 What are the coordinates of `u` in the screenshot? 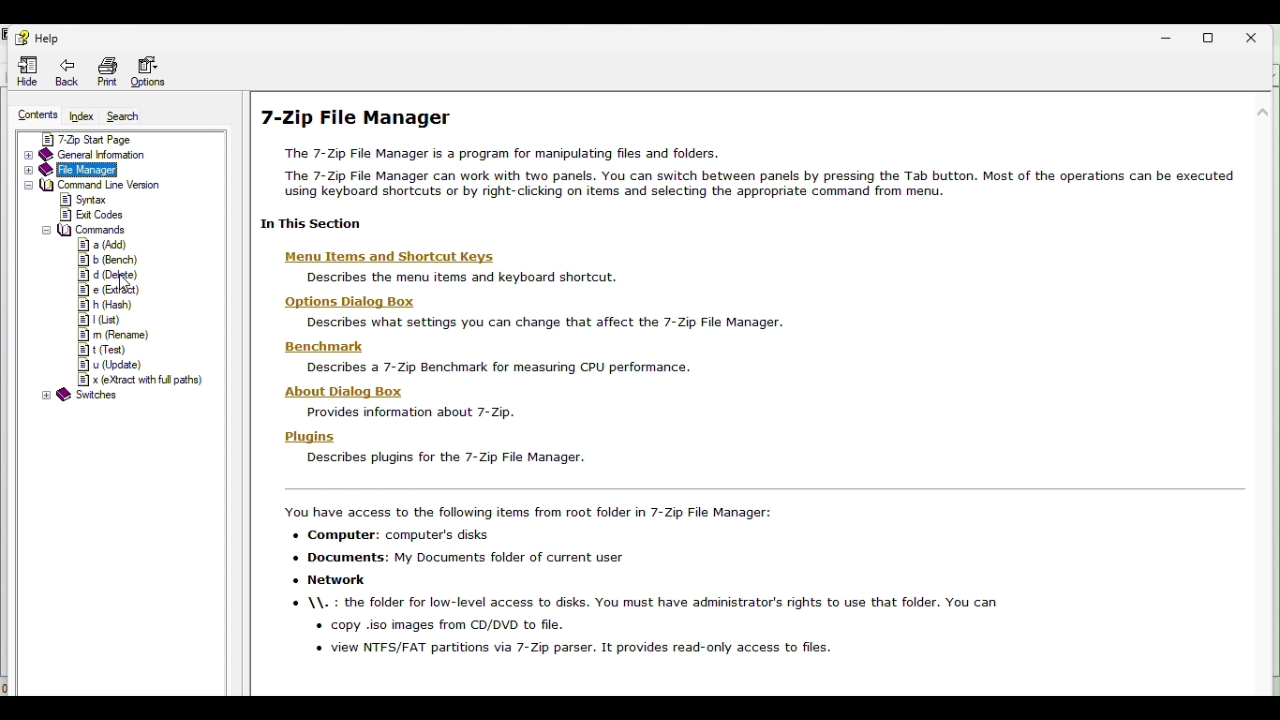 It's located at (109, 366).